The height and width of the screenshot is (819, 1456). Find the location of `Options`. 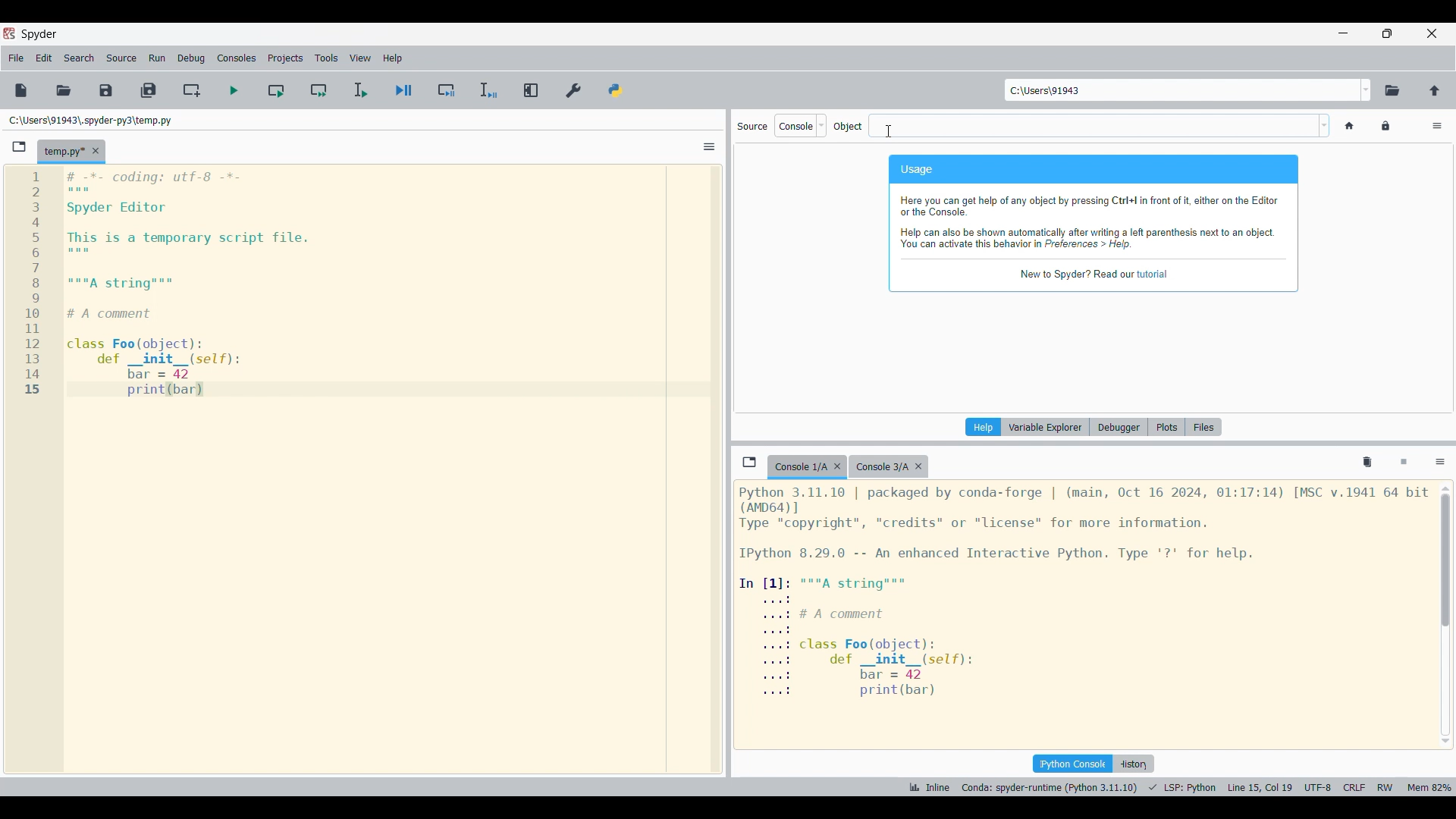

Options is located at coordinates (1438, 126).